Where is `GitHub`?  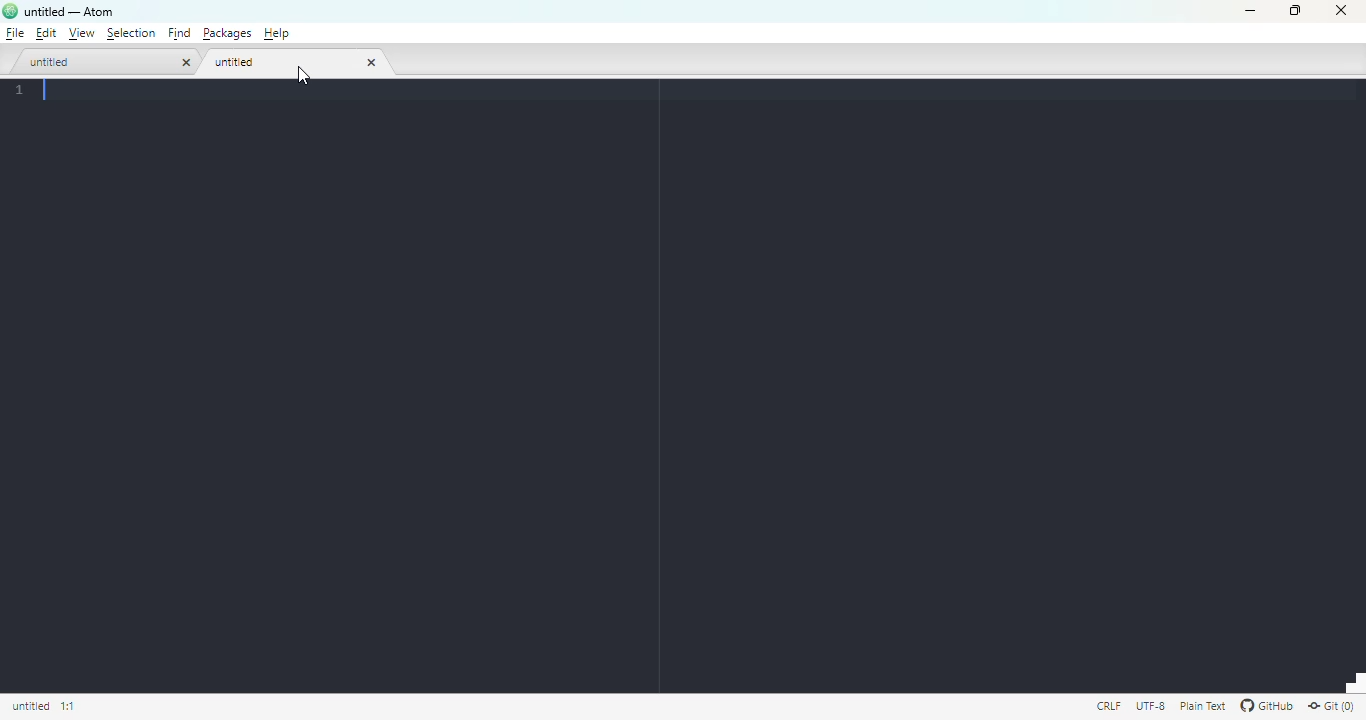
GitHub is located at coordinates (1267, 705).